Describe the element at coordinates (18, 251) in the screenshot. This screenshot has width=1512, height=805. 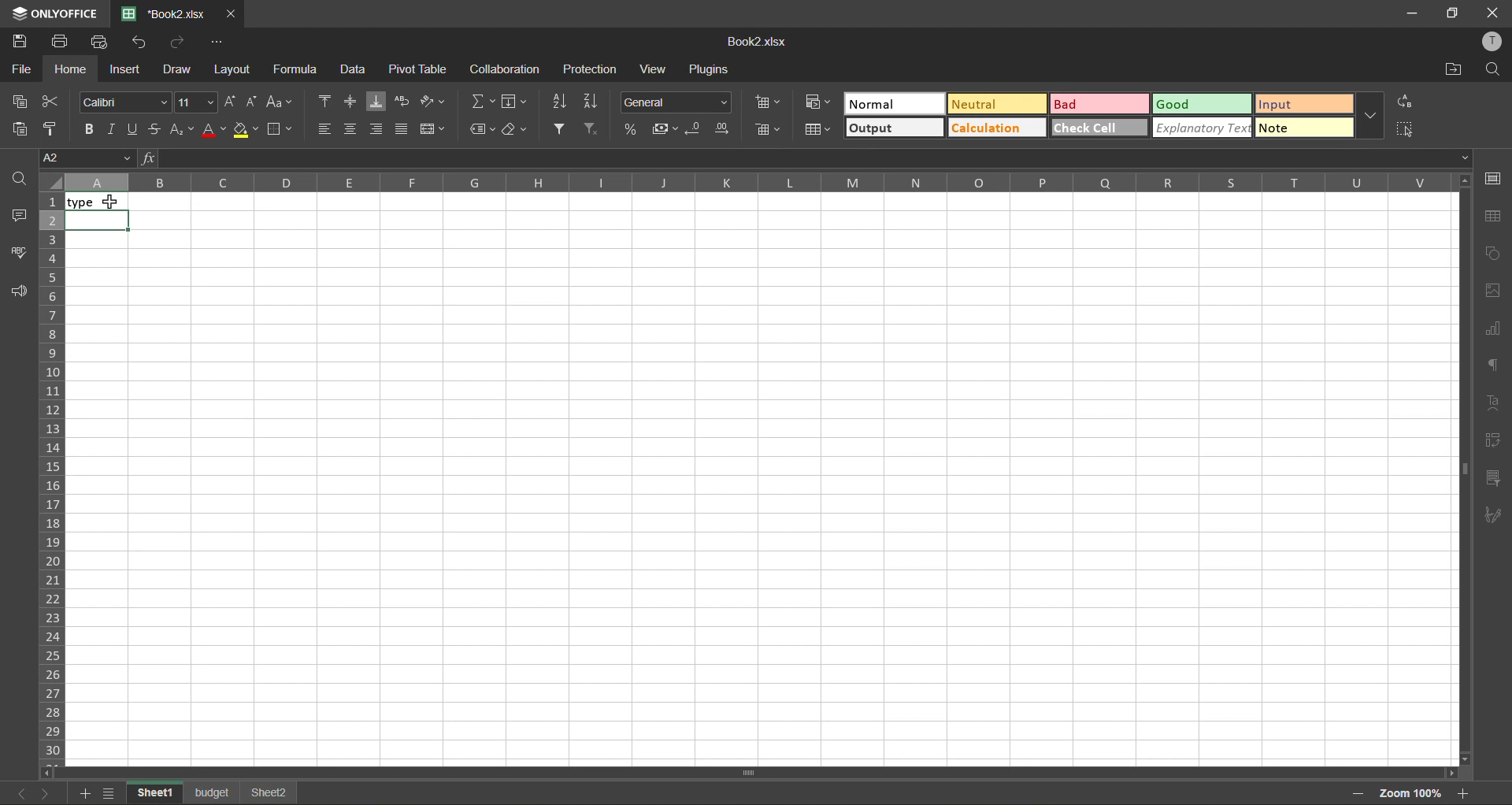
I see `spellcheck` at that location.